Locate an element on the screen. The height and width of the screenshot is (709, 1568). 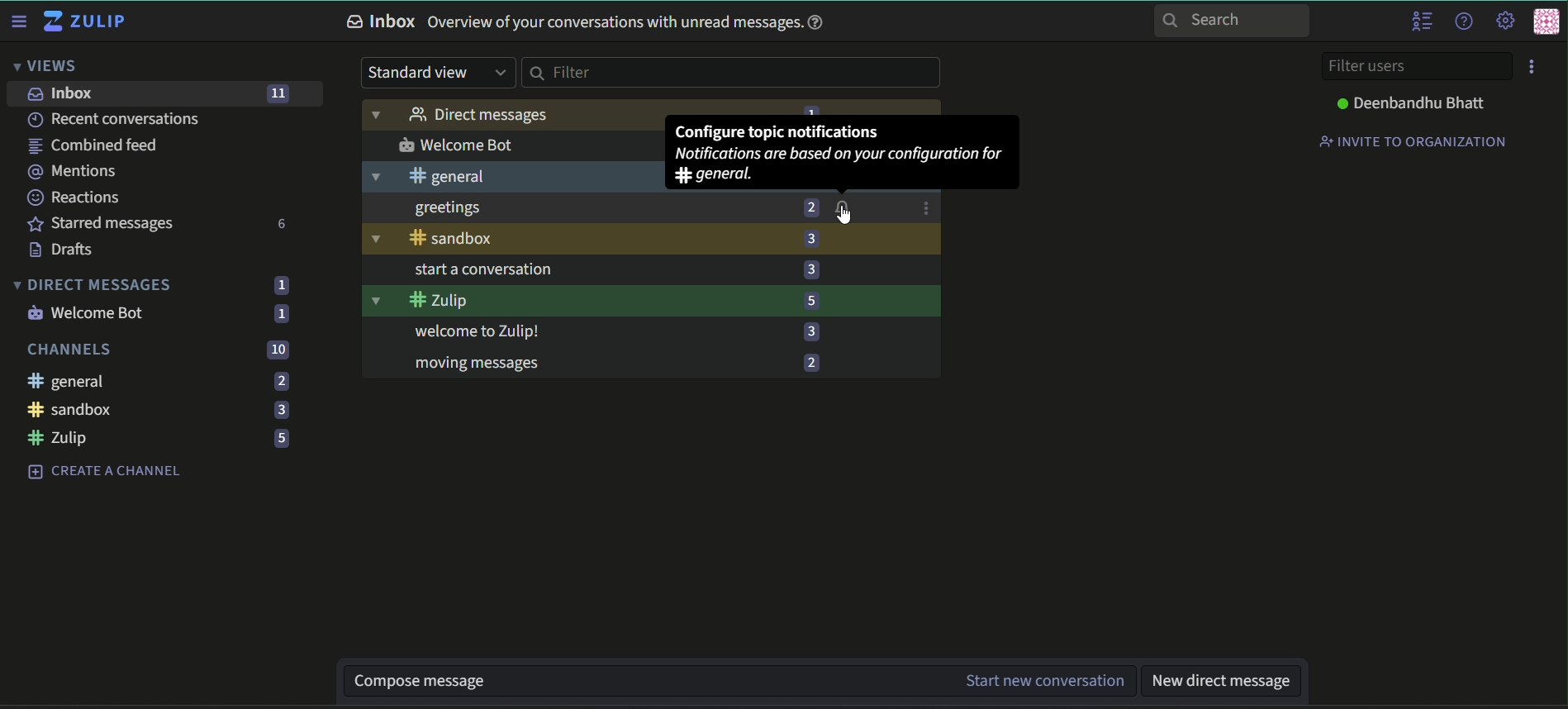
Welcome Bot is located at coordinates (88, 314).